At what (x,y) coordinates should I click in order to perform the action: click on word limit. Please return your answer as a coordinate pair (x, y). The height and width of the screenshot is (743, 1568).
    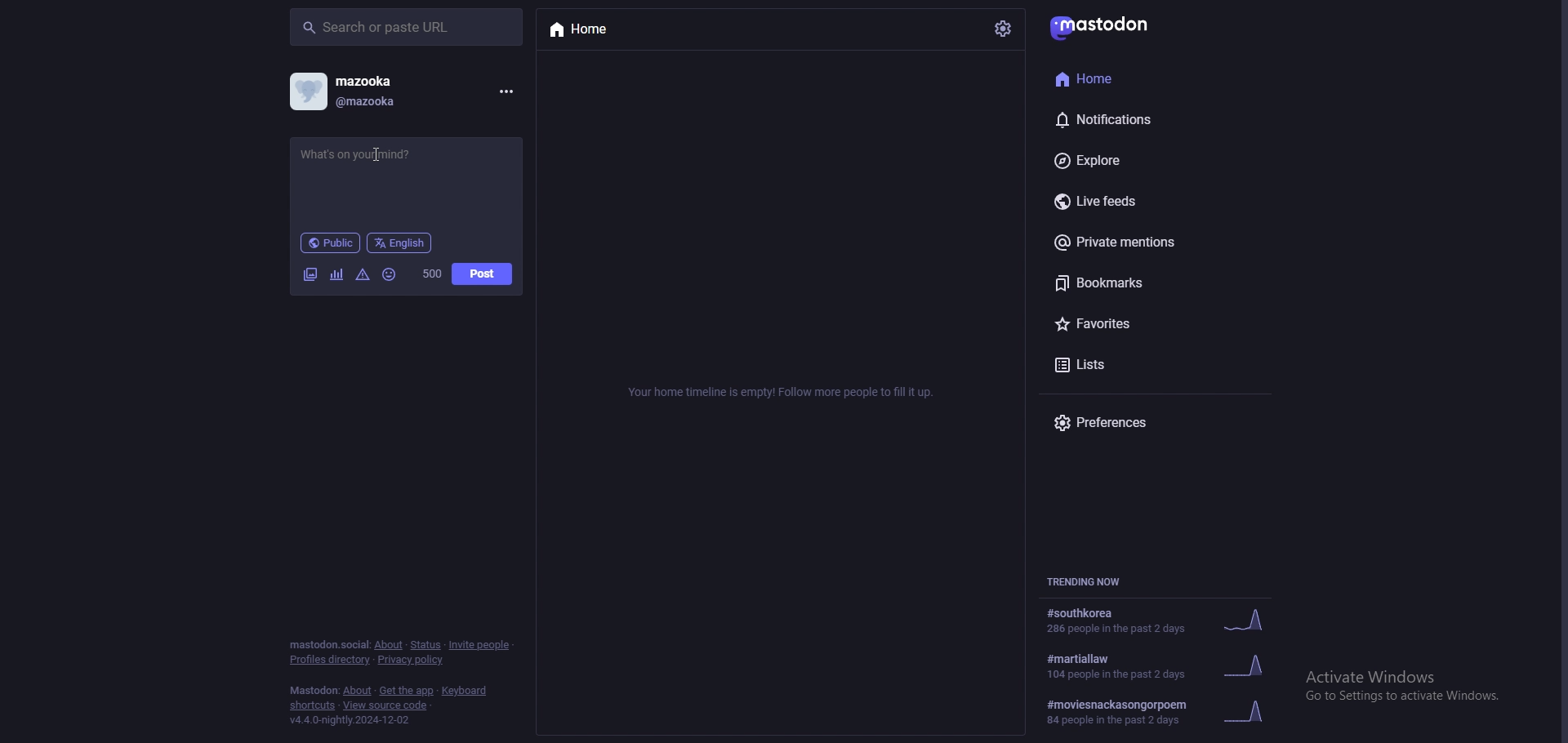
    Looking at the image, I should click on (433, 274).